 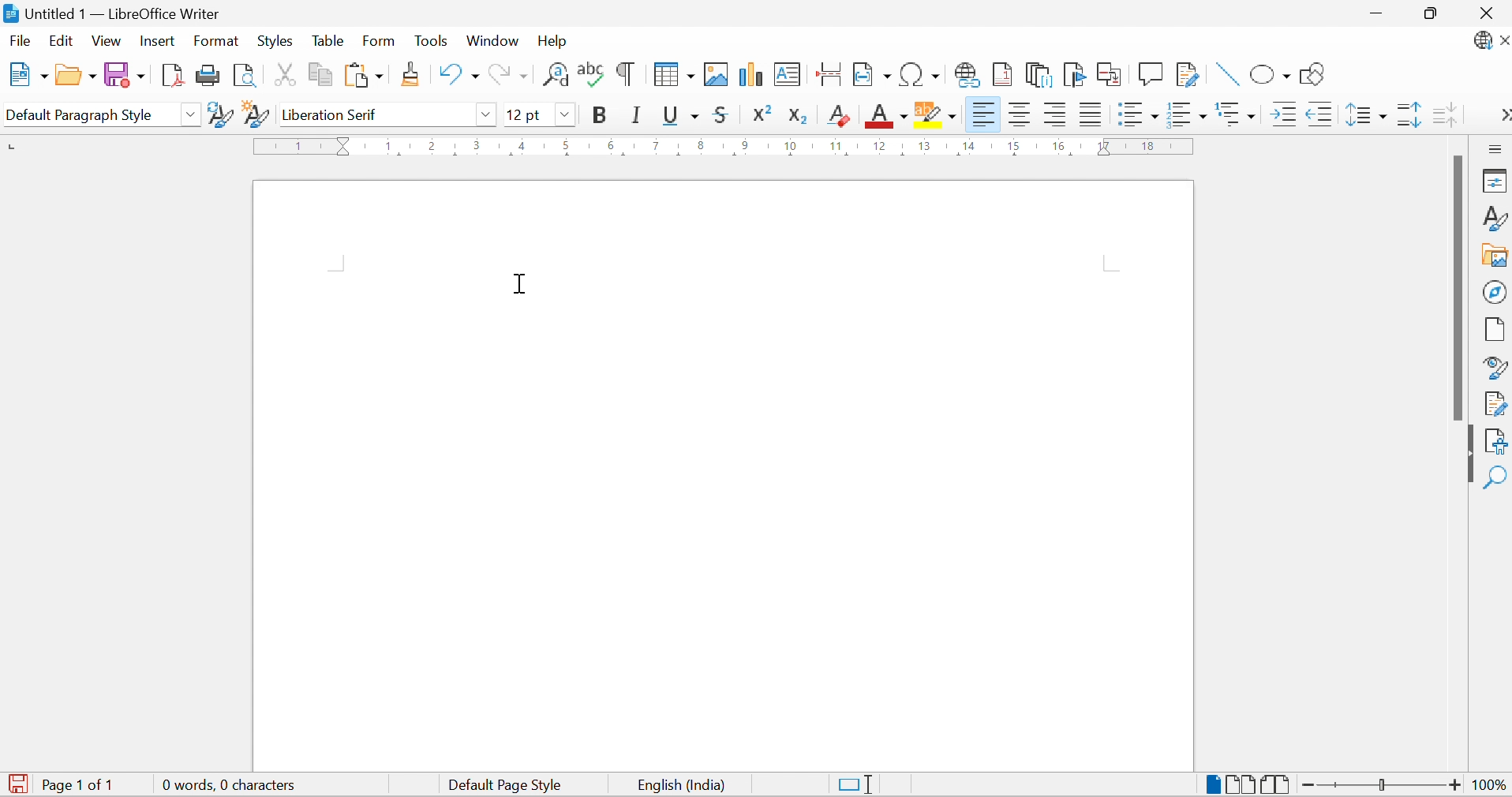 I want to click on 2, so click(x=433, y=144).